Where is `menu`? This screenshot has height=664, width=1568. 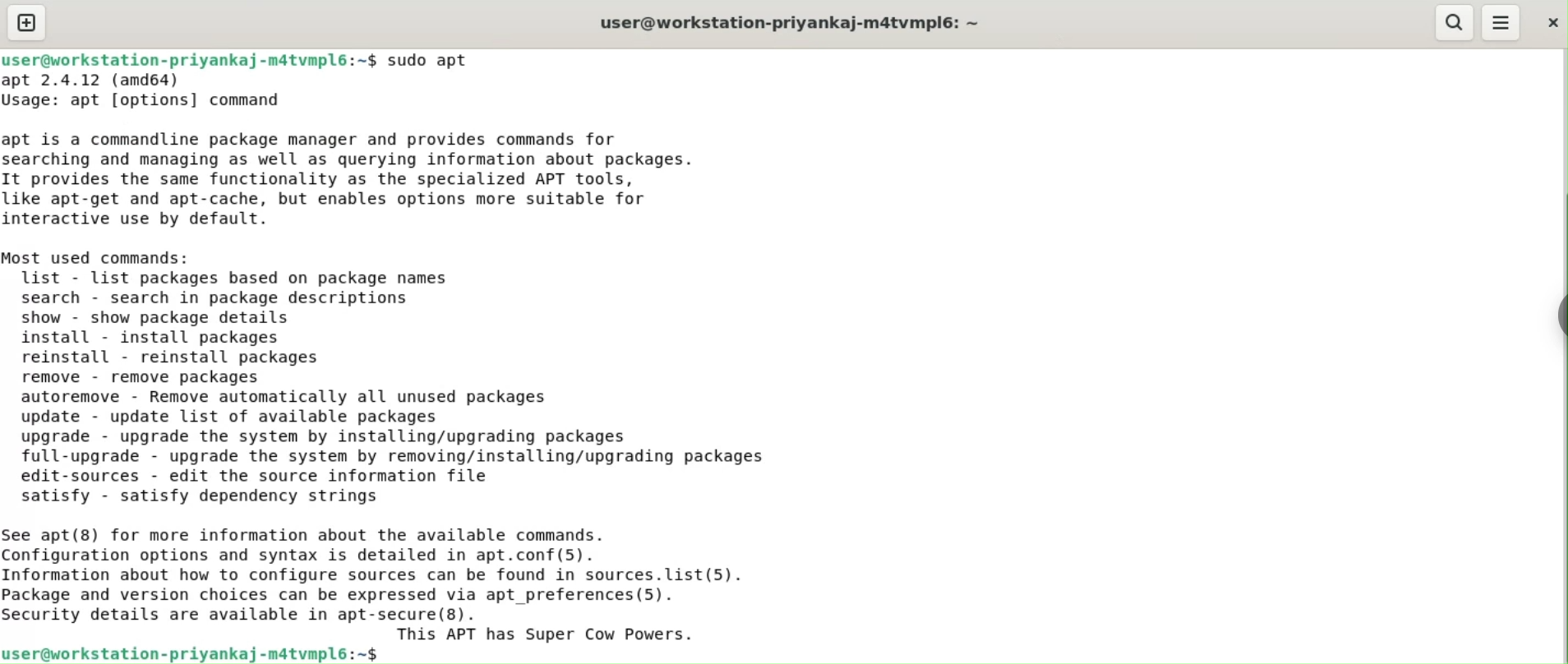 menu is located at coordinates (1502, 22).